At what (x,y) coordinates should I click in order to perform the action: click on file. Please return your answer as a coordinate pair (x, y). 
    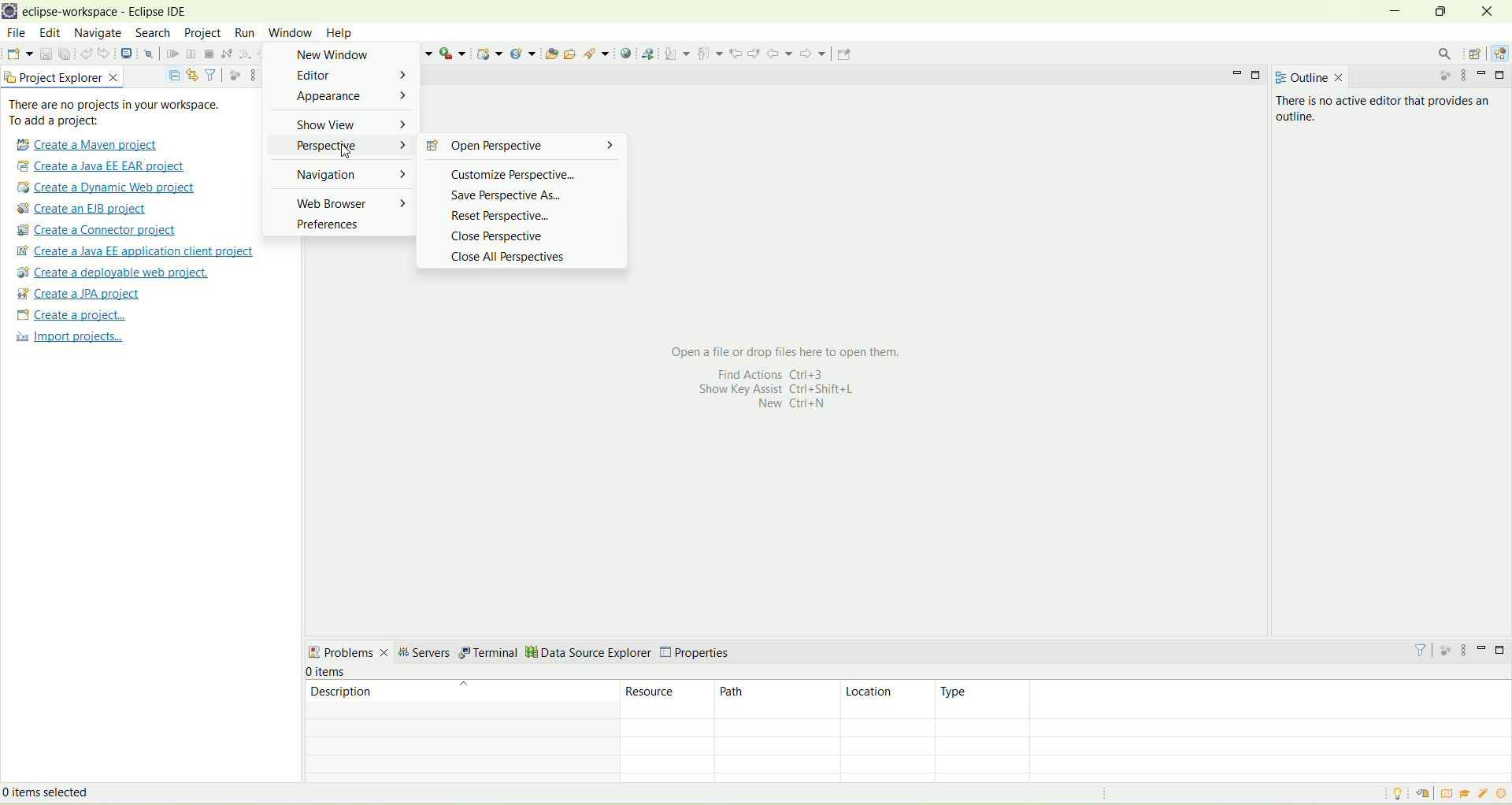
    Looking at the image, I should click on (17, 33).